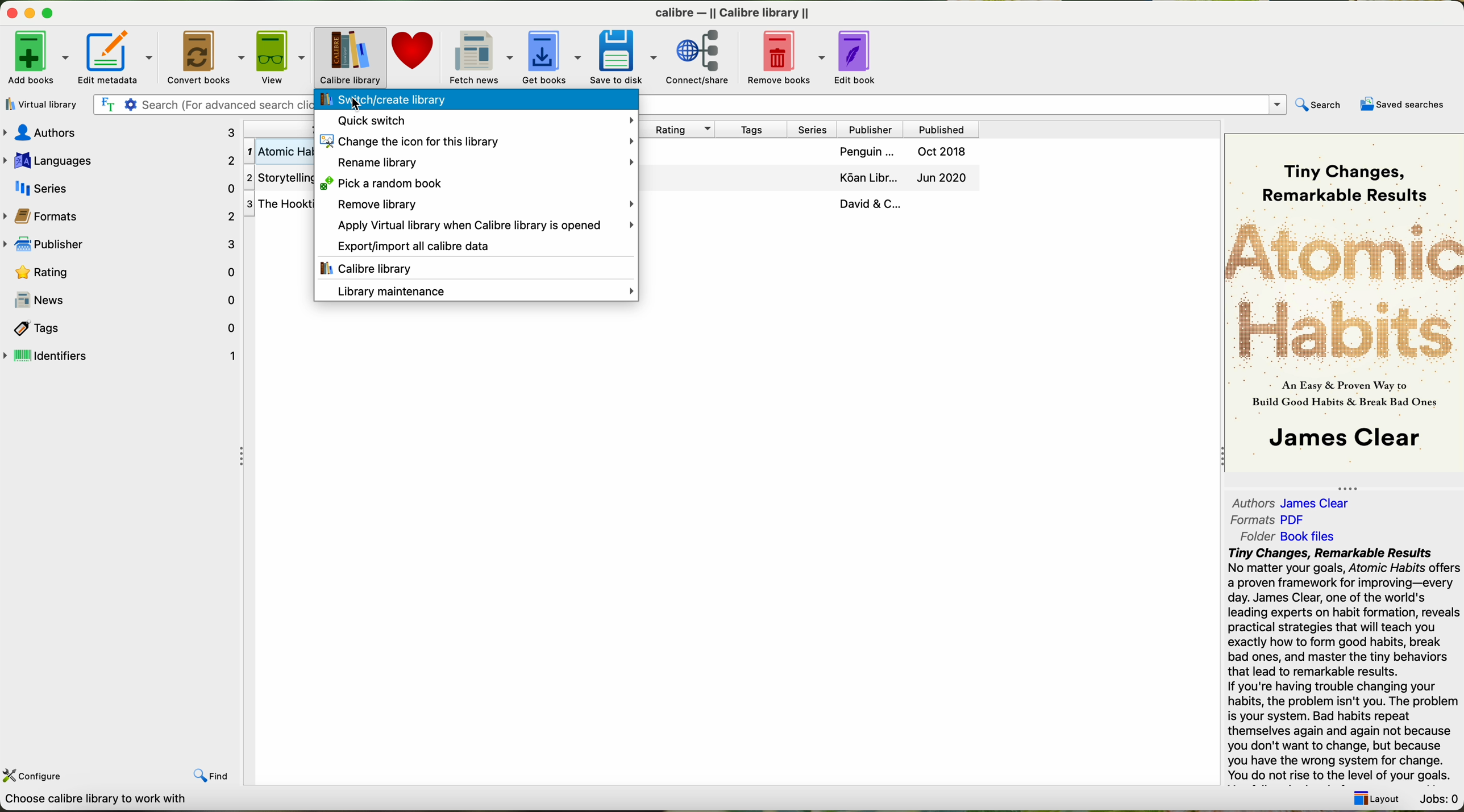 This screenshot has height=812, width=1464. I want to click on Jul 2020, so click(906, 178).